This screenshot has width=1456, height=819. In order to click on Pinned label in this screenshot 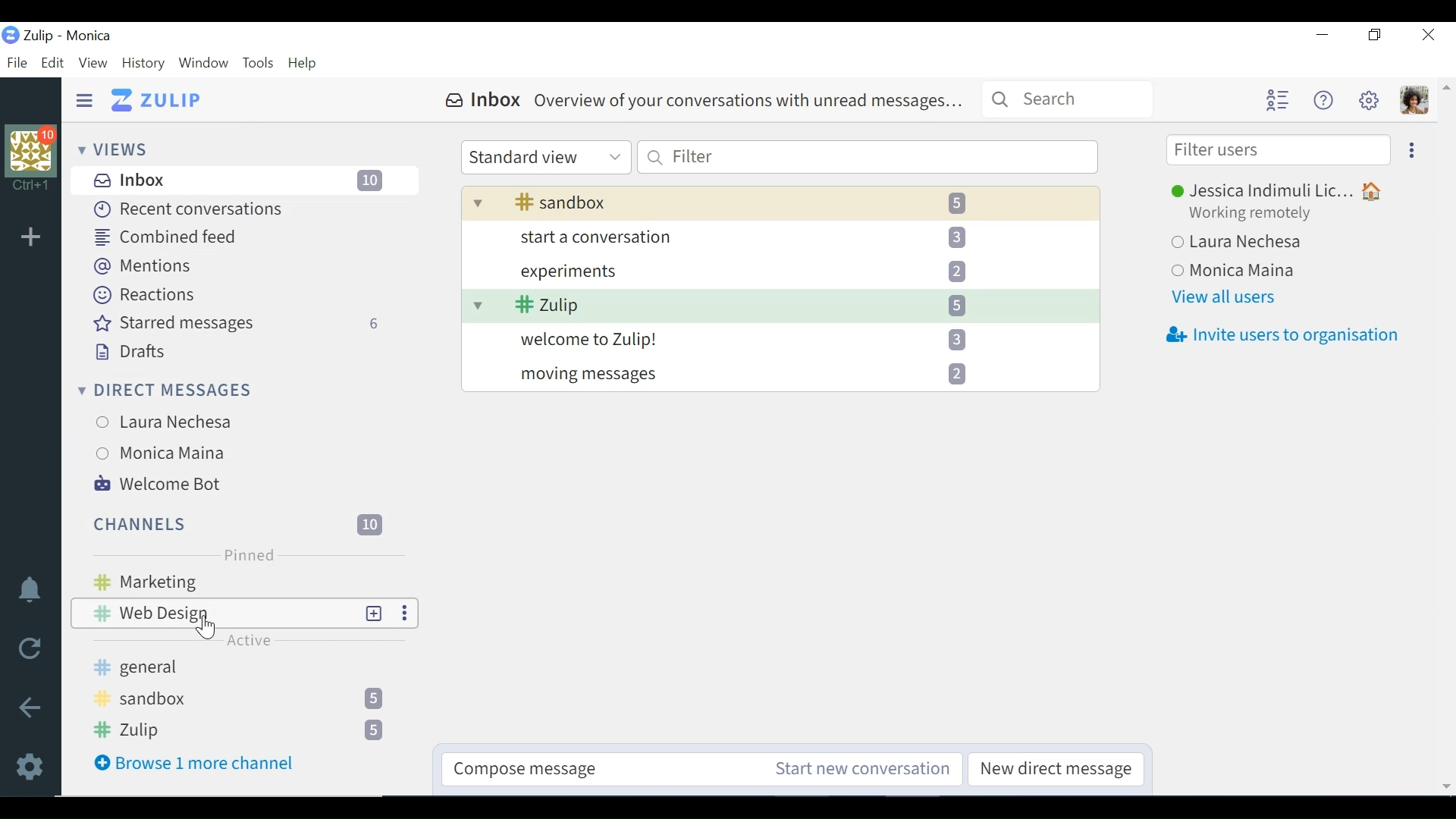, I will do `click(247, 555)`.